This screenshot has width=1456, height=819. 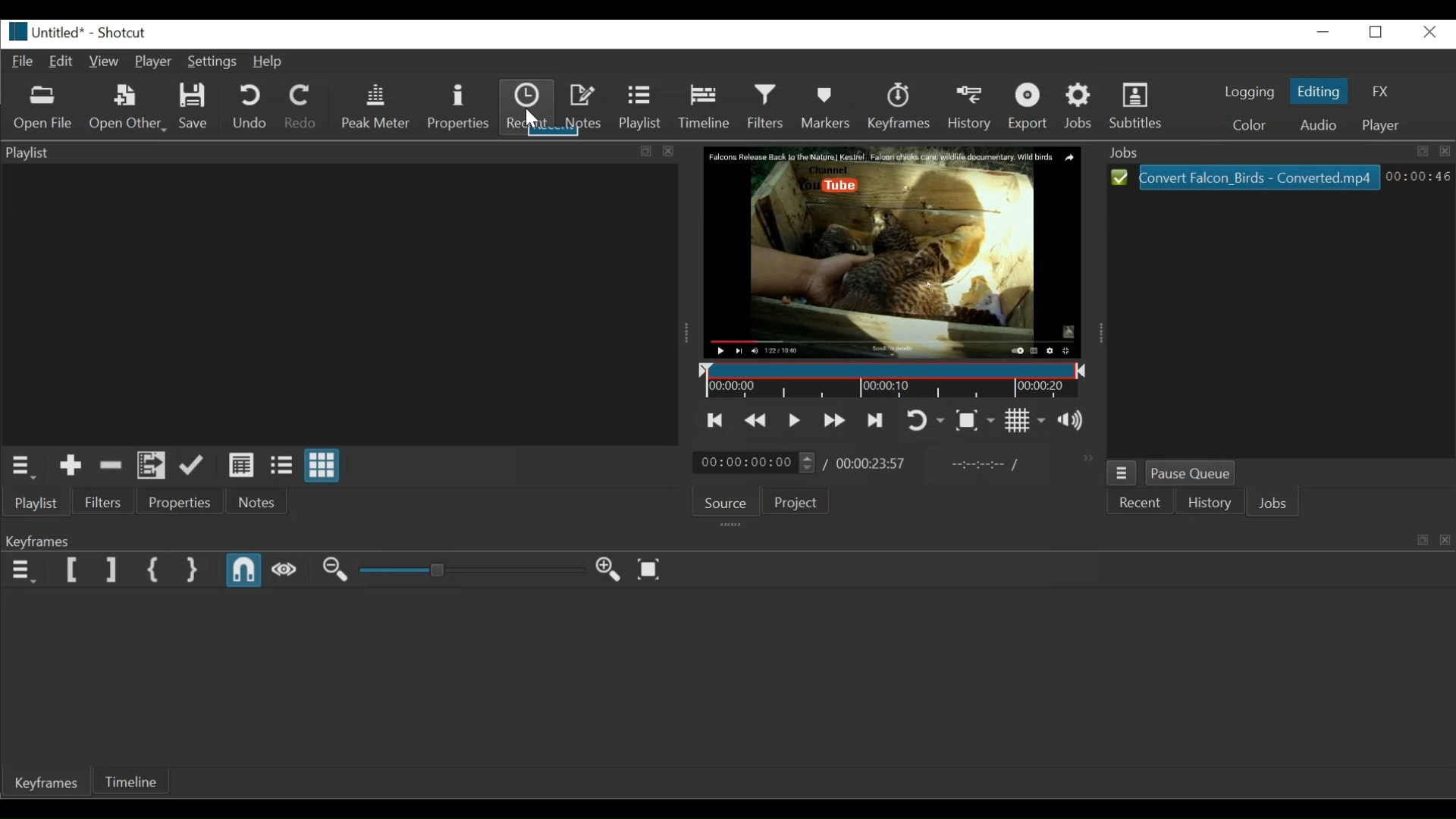 I want to click on Timeline, so click(x=136, y=783).